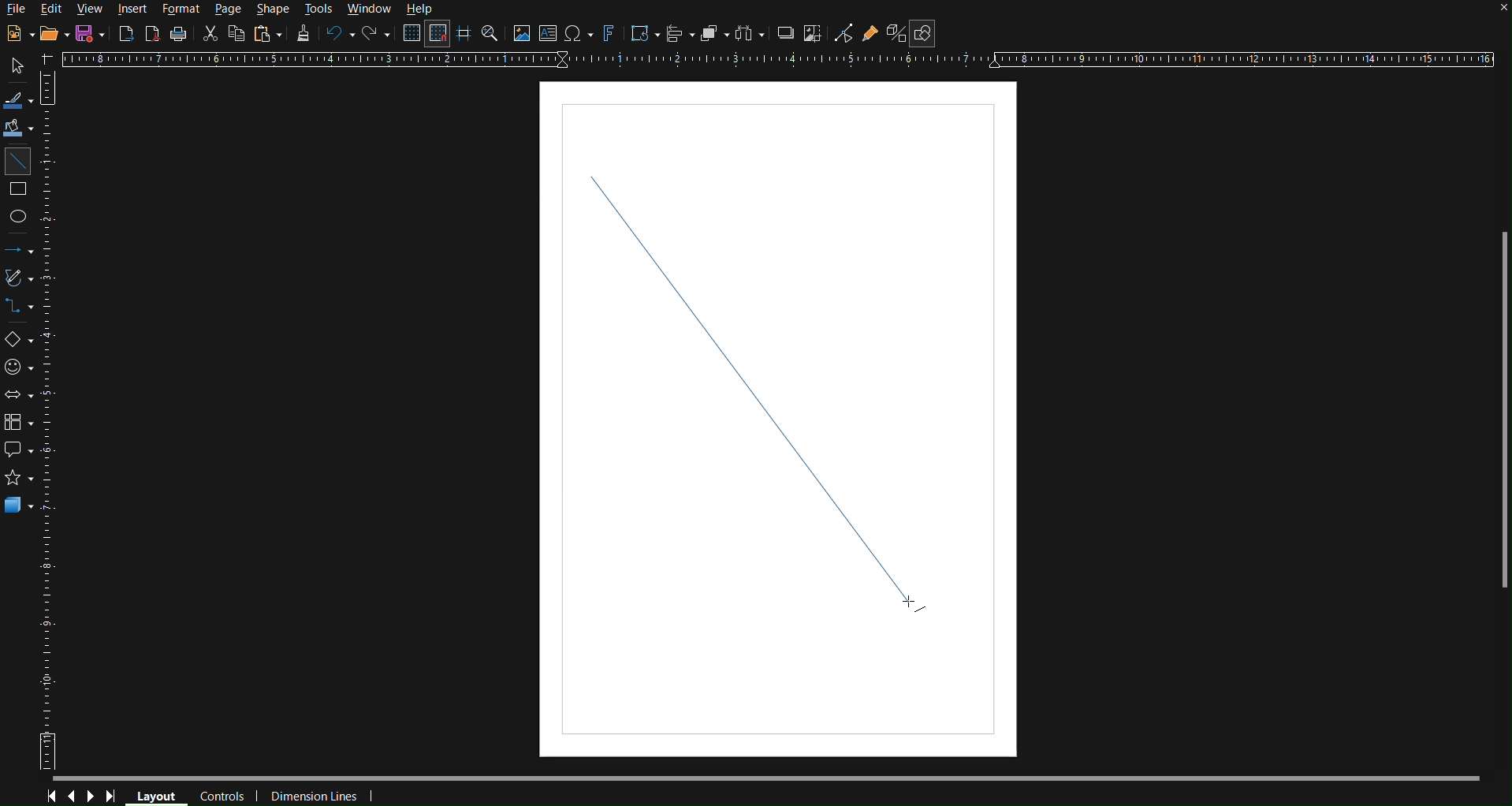 This screenshot has height=806, width=1512. What do you see at coordinates (319, 10) in the screenshot?
I see `Tools` at bounding box center [319, 10].